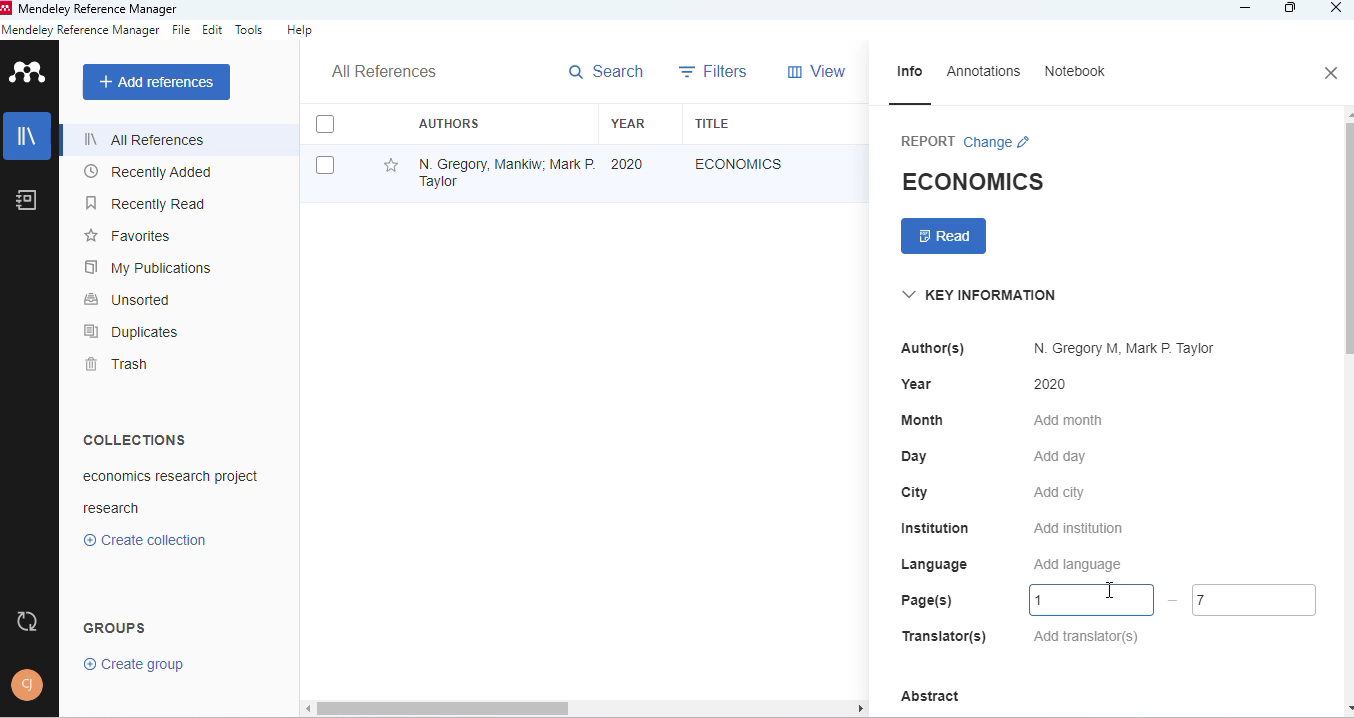 The height and width of the screenshot is (718, 1354). Describe the element at coordinates (1093, 600) in the screenshot. I see `1` at that location.